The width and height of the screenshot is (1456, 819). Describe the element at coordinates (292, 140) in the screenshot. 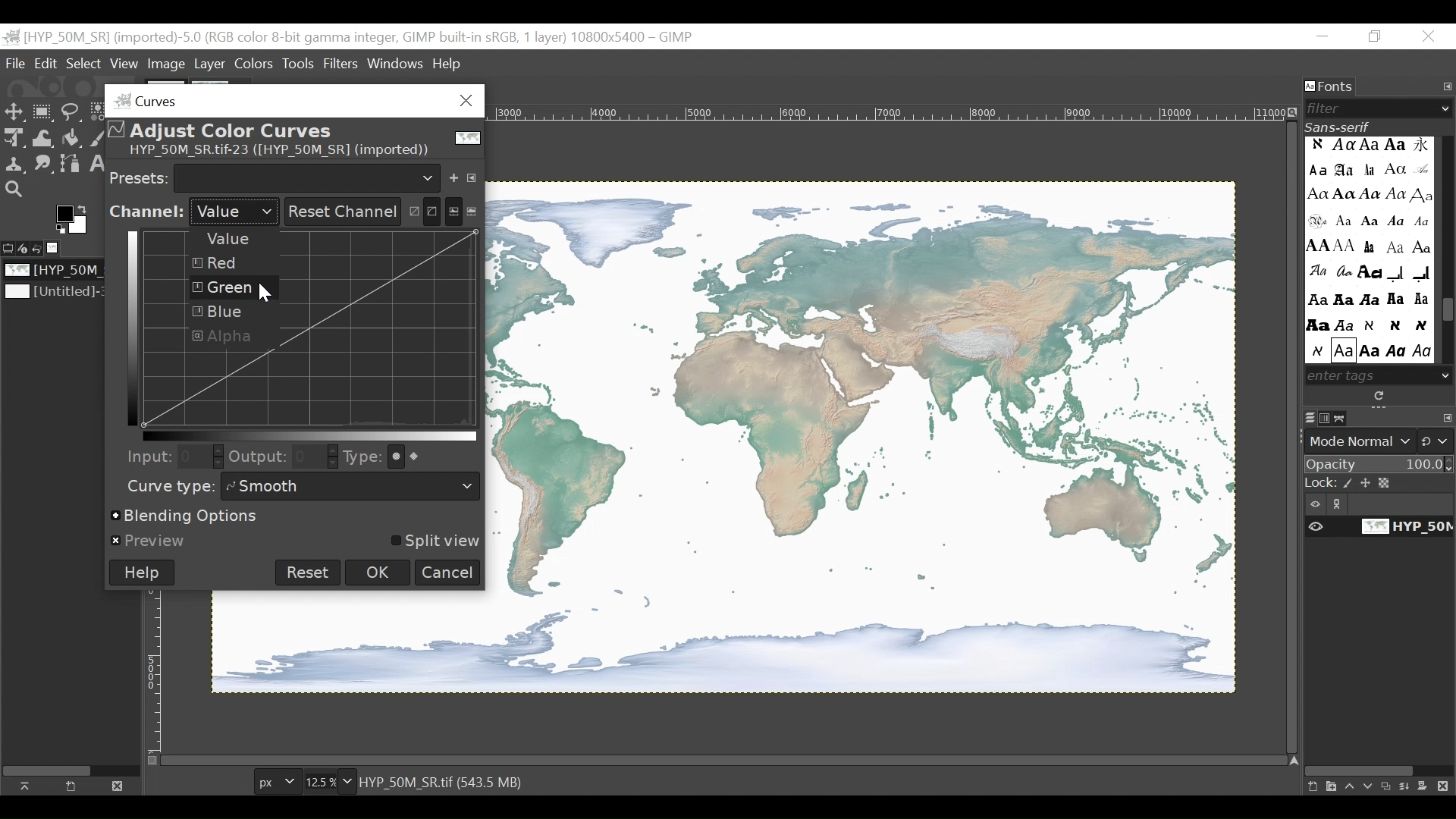

I see `Adjust Color Curves for the Image` at that location.